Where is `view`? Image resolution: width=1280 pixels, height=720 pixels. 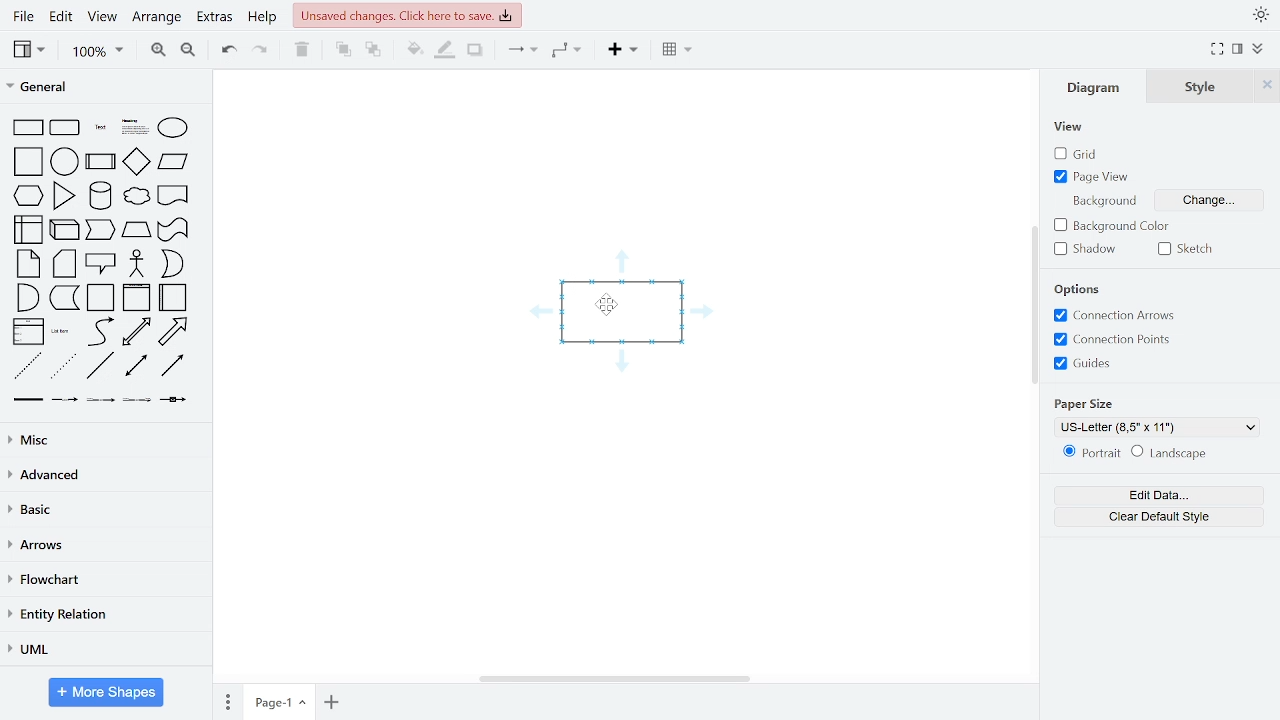
view is located at coordinates (1071, 127).